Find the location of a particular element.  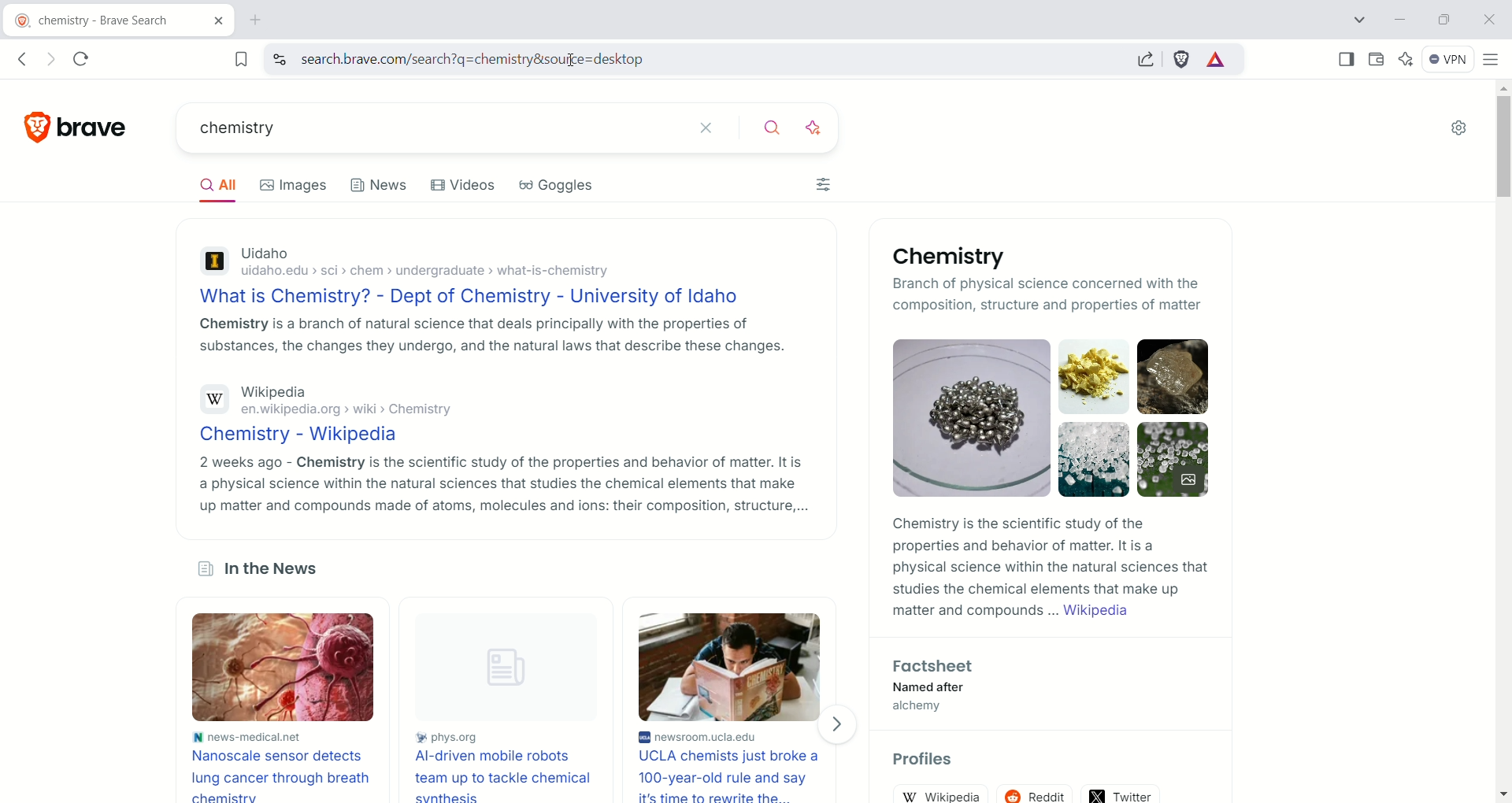

minimize is located at coordinates (1400, 18).